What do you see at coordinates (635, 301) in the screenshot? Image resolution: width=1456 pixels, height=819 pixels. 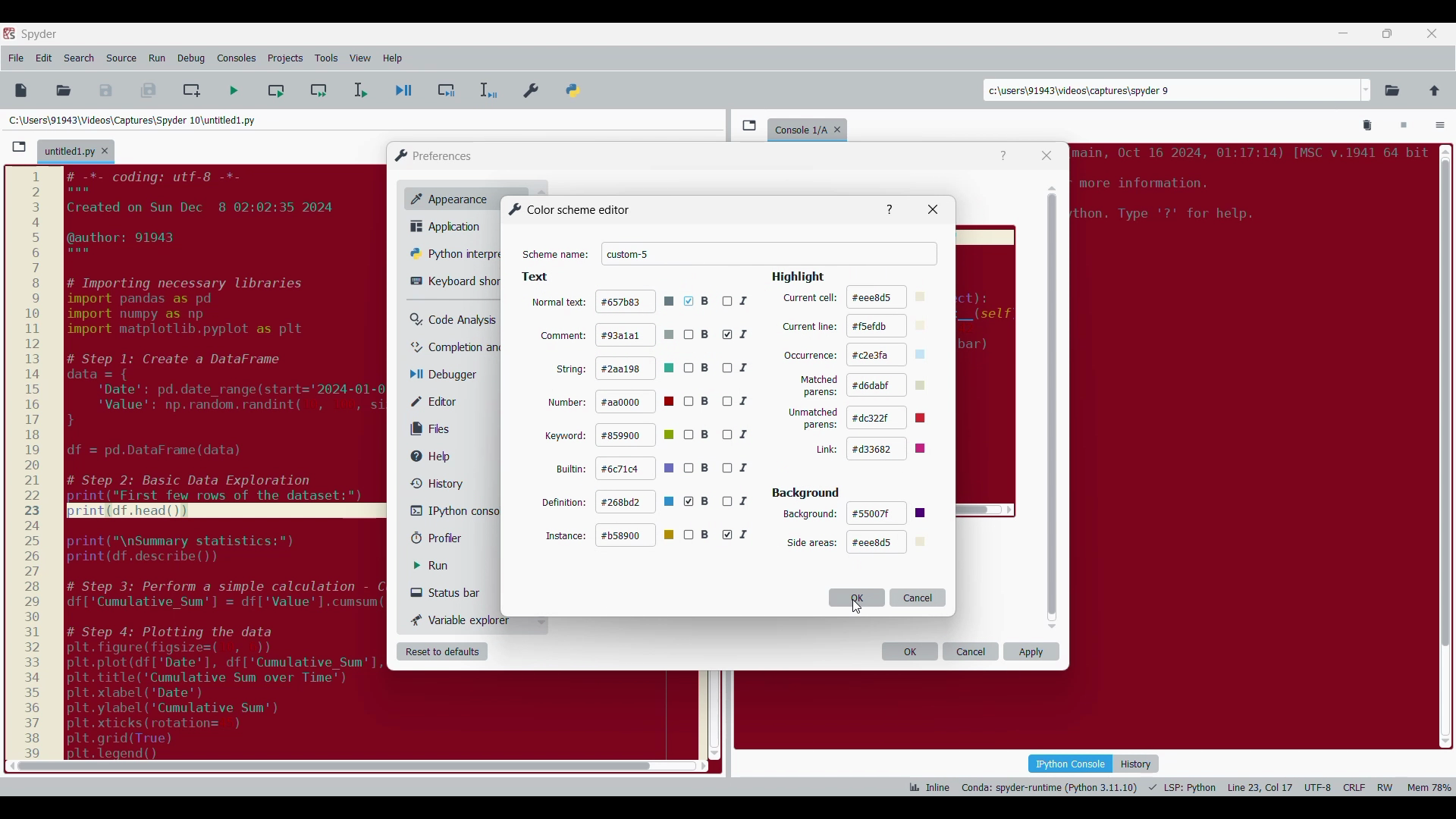 I see `#657b83` at bounding box center [635, 301].